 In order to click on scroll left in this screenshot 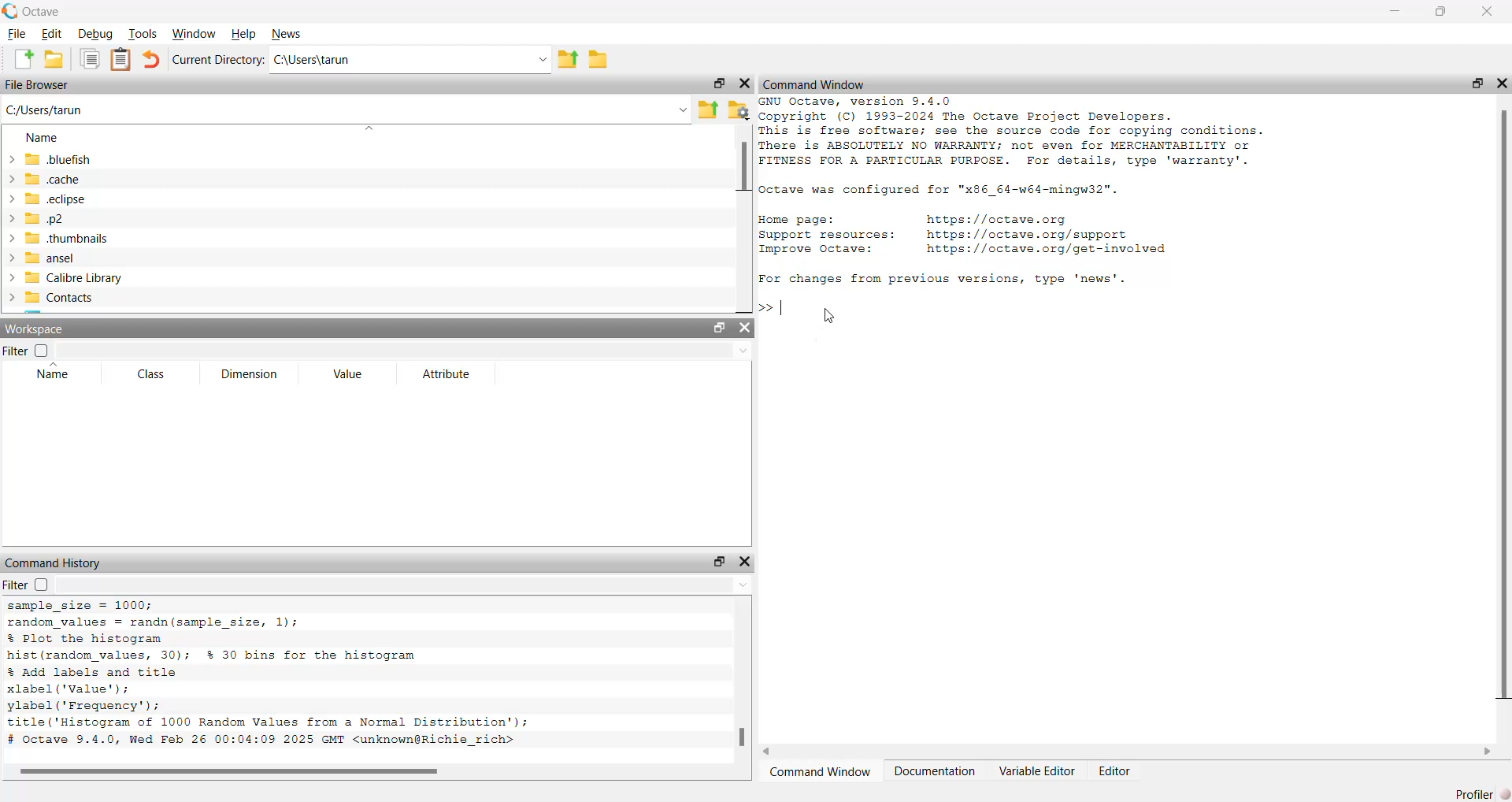, I will do `click(769, 751)`.